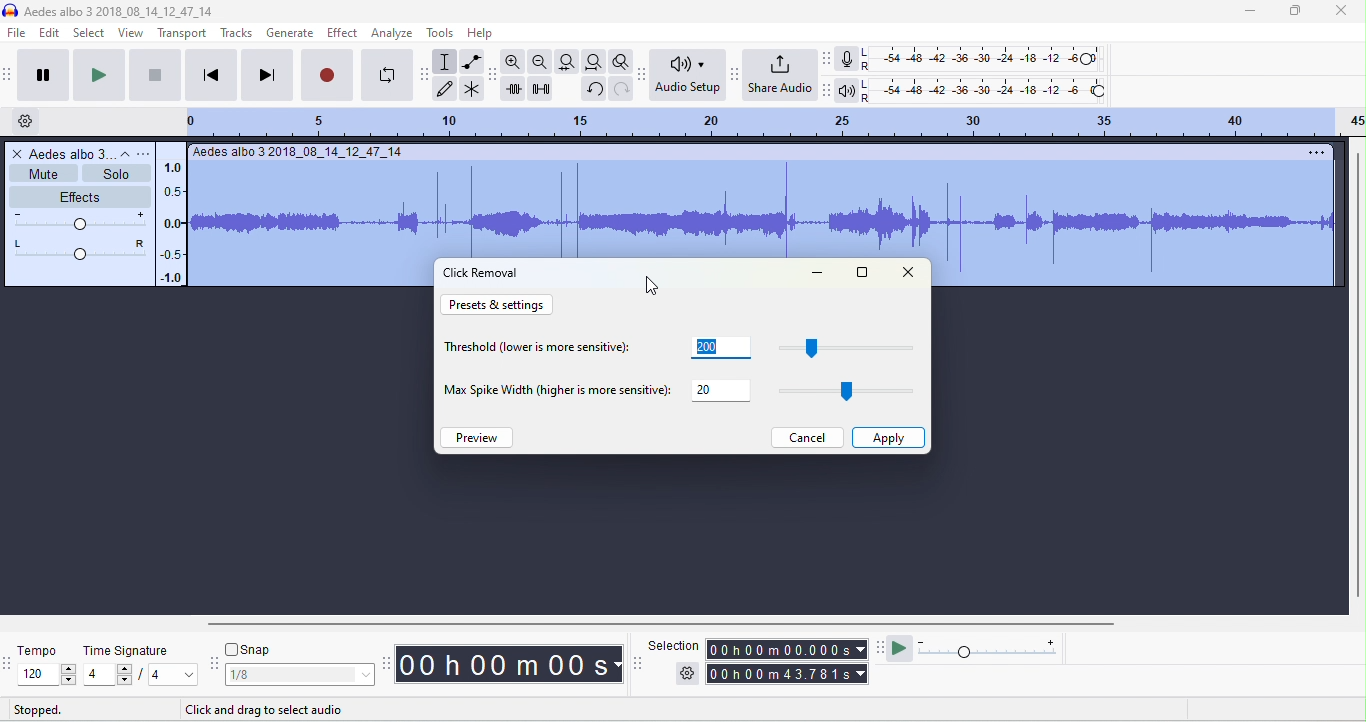 This screenshot has width=1366, height=722. I want to click on R, so click(867, 98).